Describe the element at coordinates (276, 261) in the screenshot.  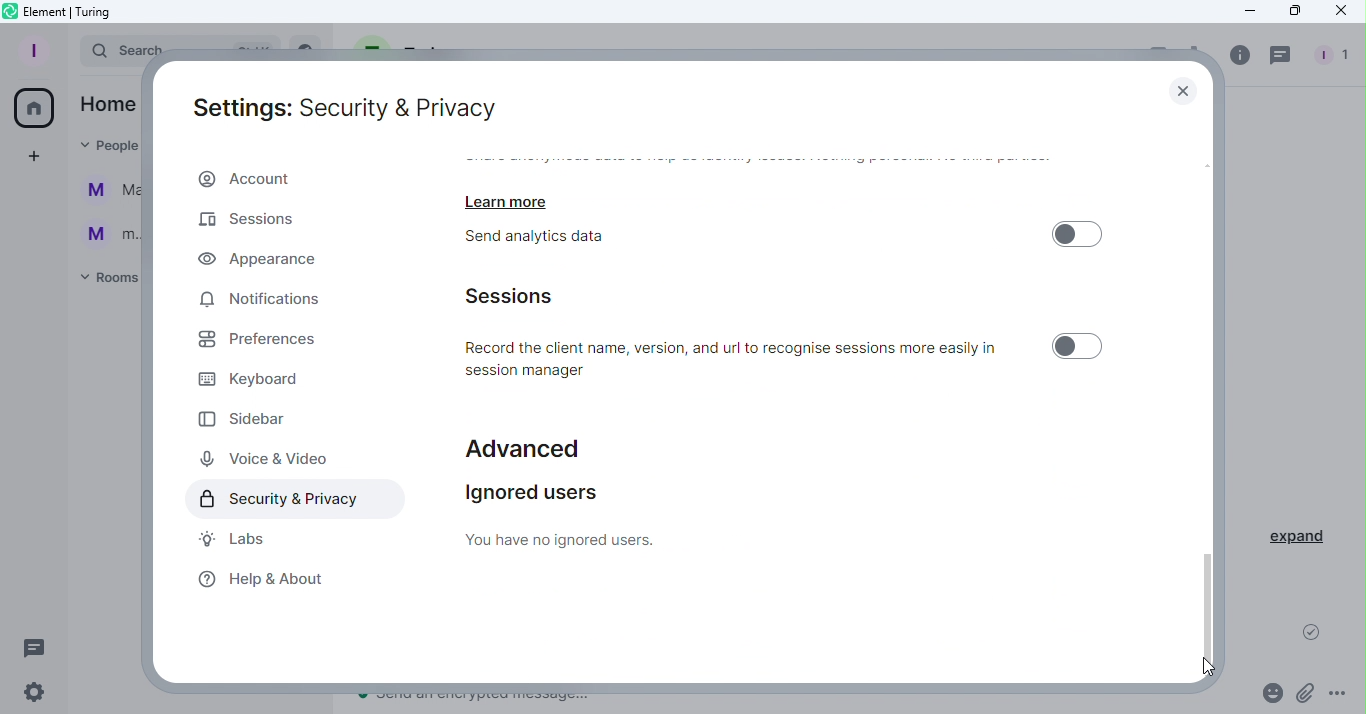
I see `Appearance` at that location.